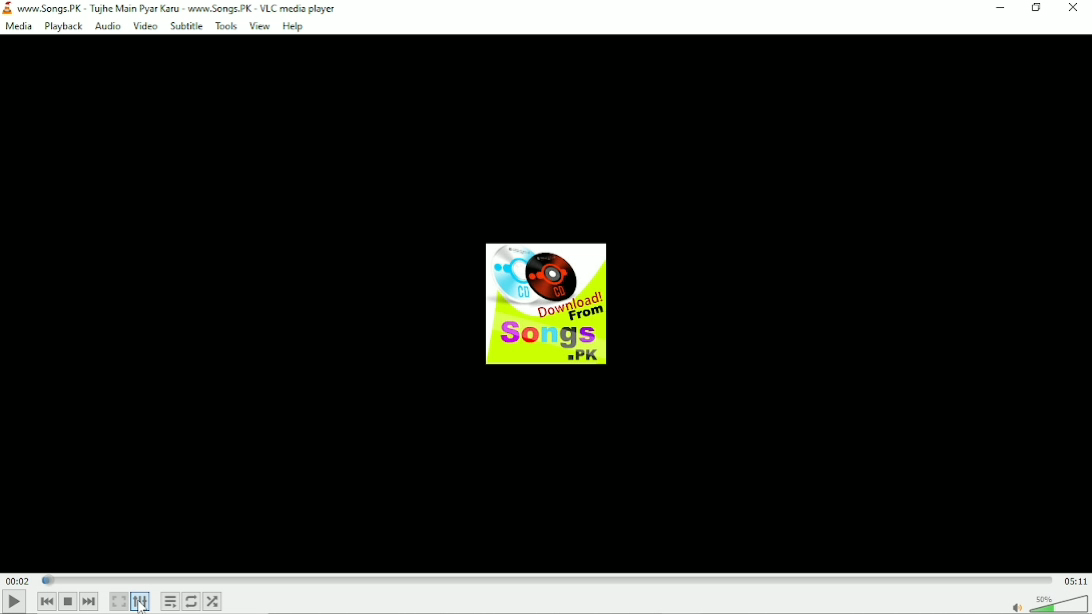  I want to click on Volume, so click(1059, 603).